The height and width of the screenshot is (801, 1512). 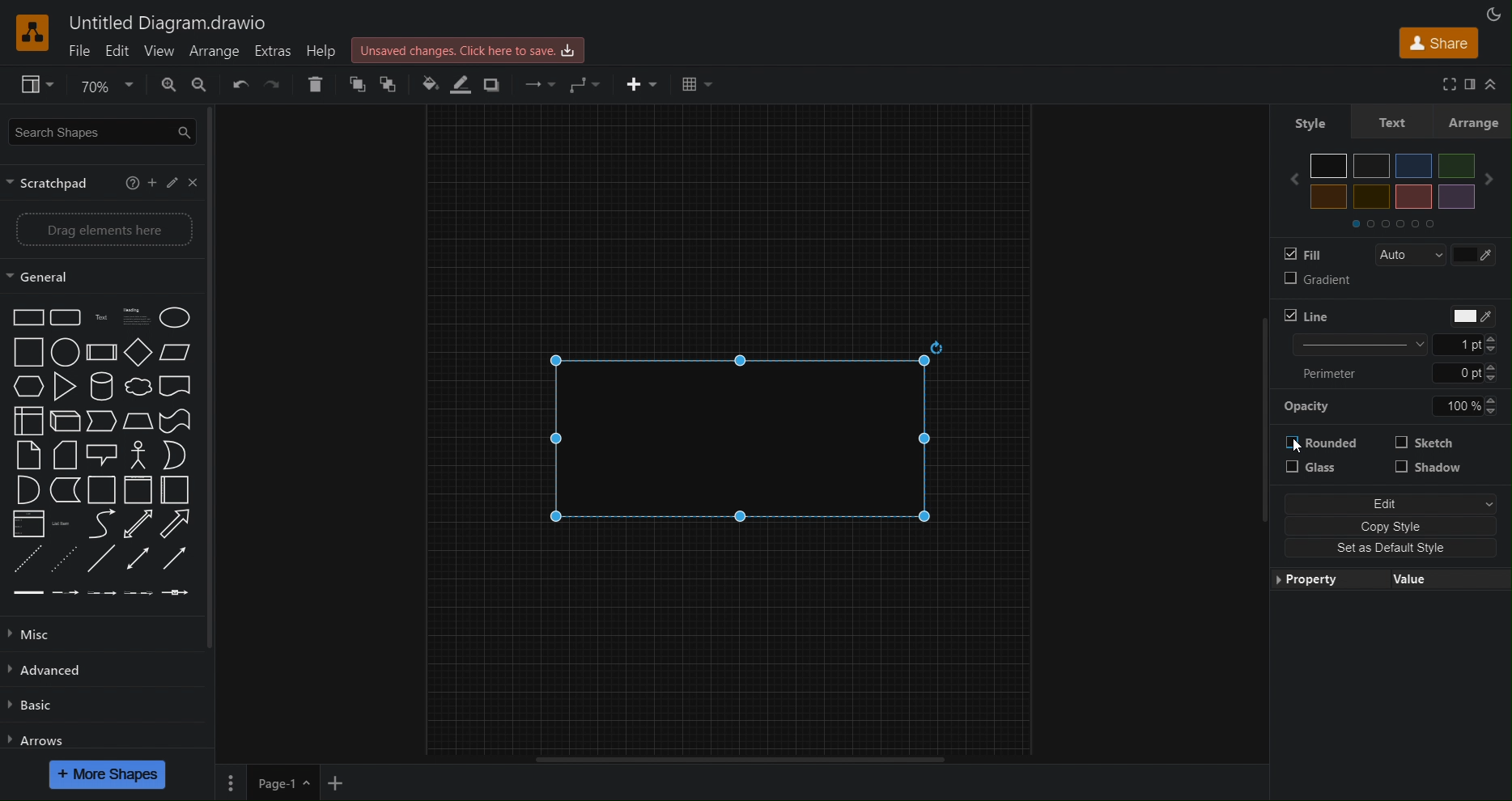 What do you see at coordinates (1394, 225) in the screenshot?
I see `slider dots` at bounding box center [1394, 225].